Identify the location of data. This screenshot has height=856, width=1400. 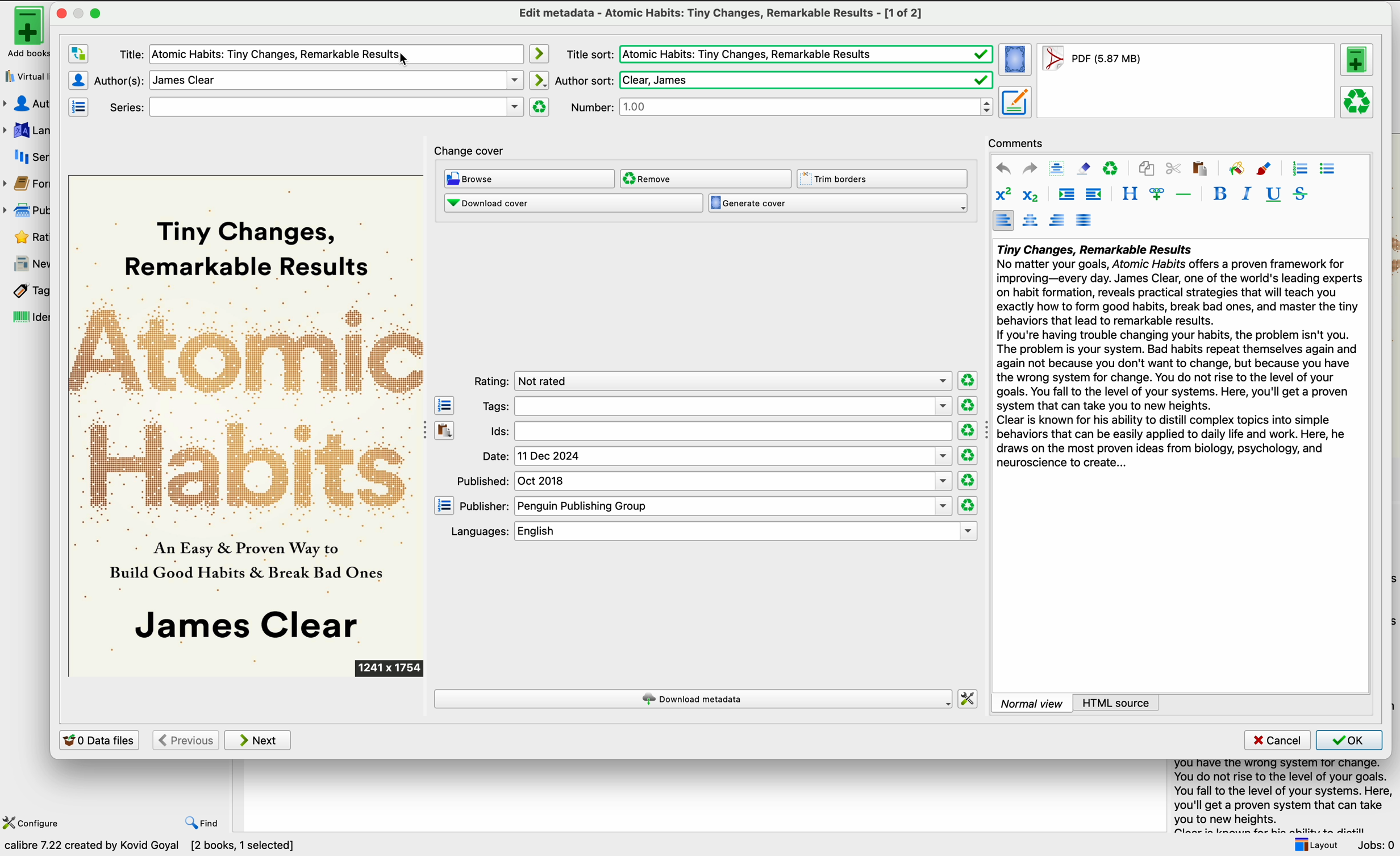
(154, 847).